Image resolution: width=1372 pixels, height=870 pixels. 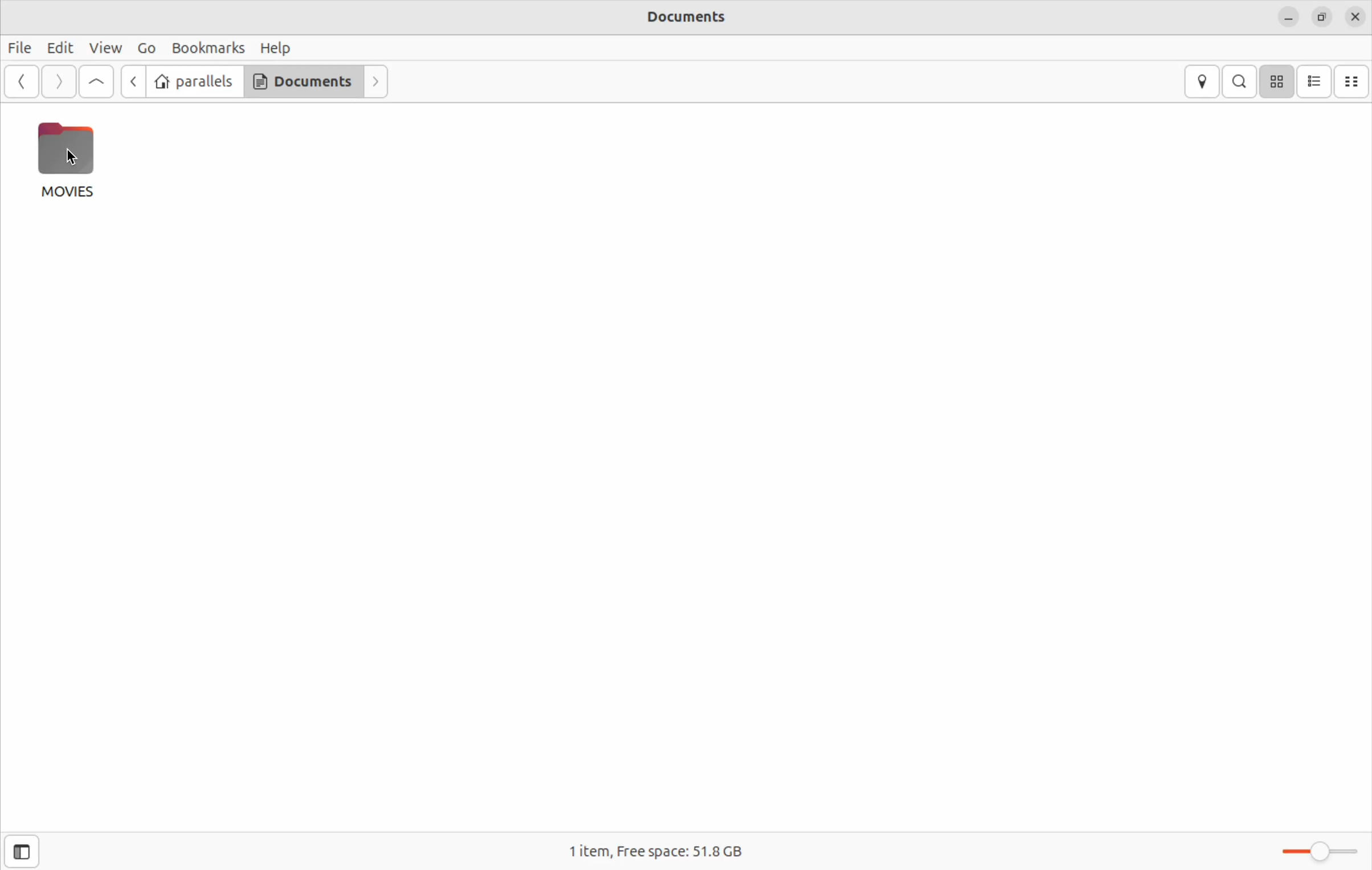 I want to click on show side bar, so click(x=27, y=852).